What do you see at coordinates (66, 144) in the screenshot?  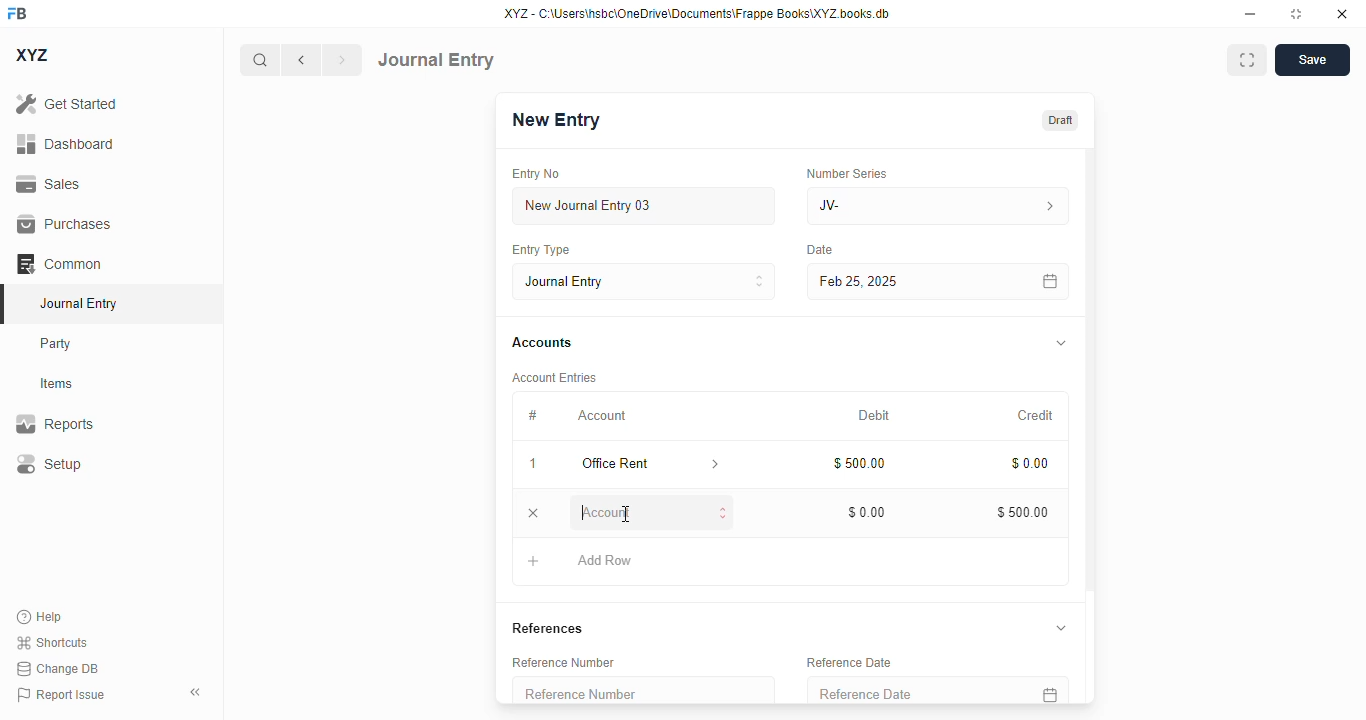 I see `dashboard` at bounding box center [66, 144].